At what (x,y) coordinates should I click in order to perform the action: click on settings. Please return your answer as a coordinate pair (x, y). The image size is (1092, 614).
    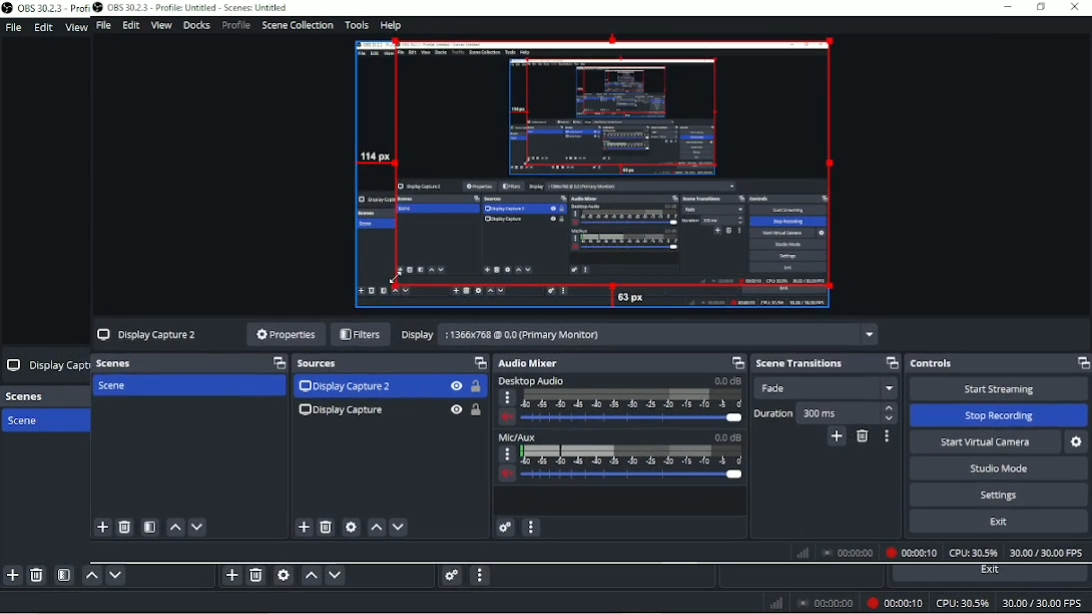
    Looking at the image, I should click on (353, 530).